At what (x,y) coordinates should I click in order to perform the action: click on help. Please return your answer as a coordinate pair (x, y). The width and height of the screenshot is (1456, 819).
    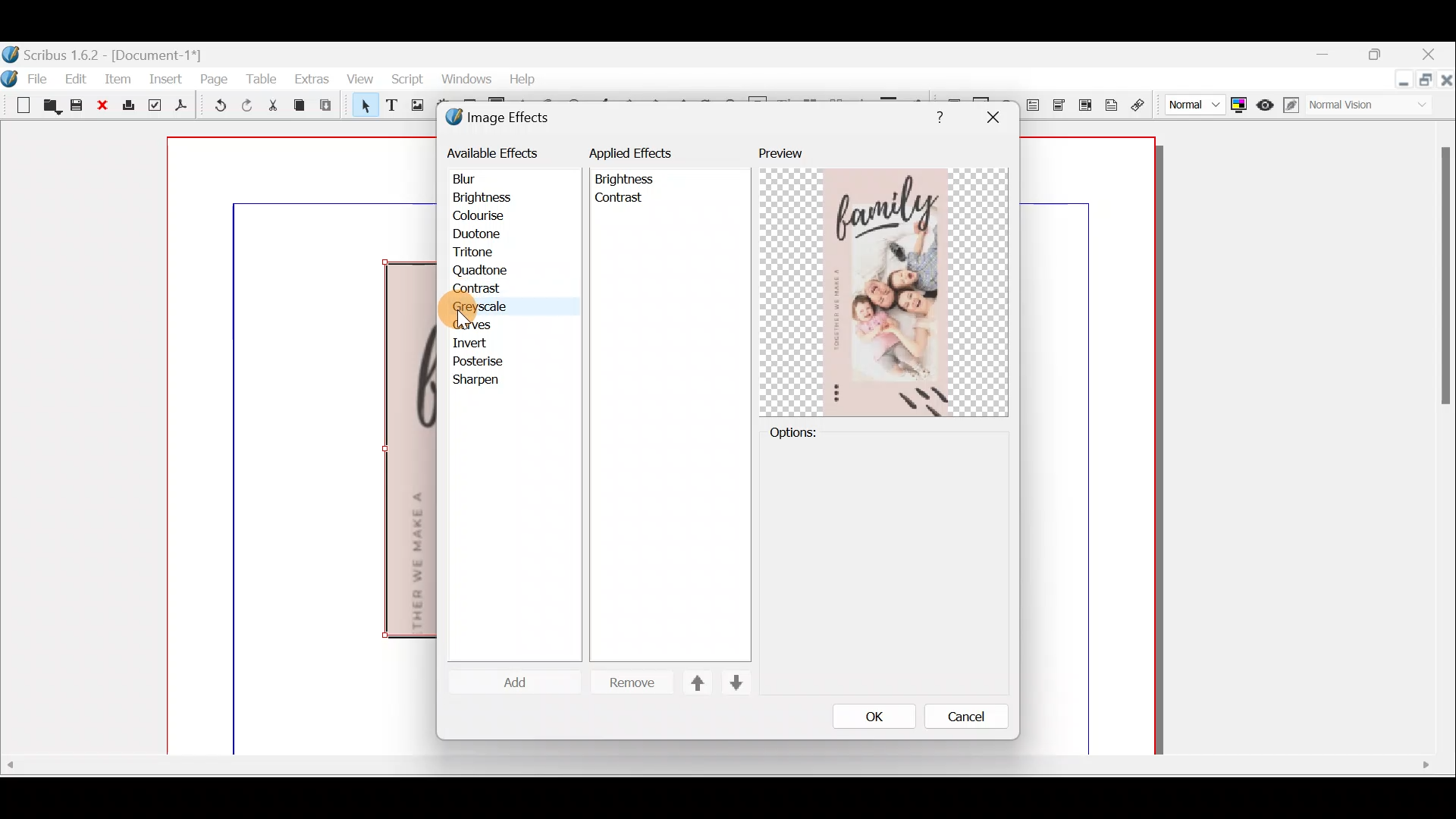
    Looking at the image, I should click on (526, 80).